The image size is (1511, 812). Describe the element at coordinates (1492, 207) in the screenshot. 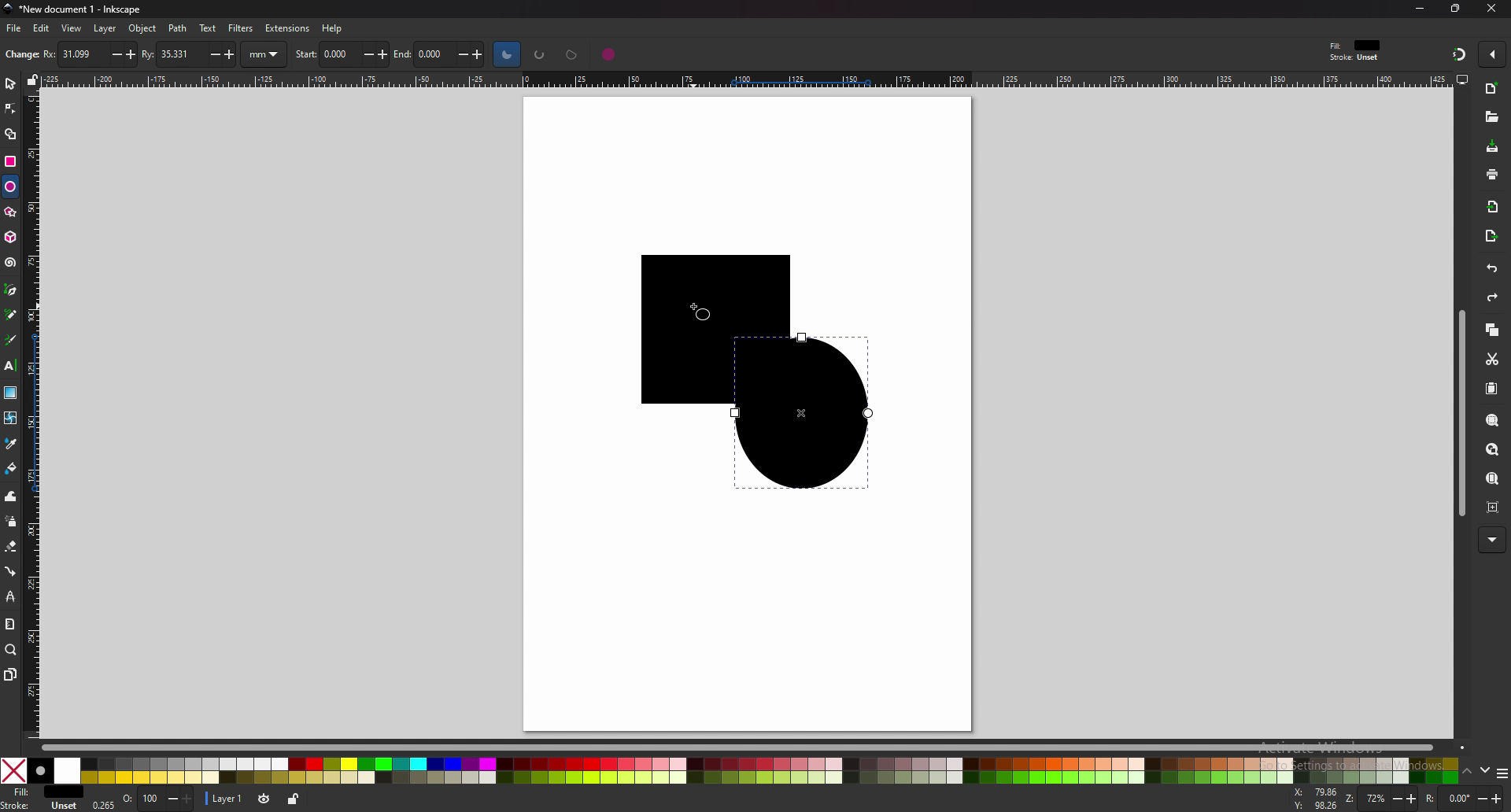

I see `import` at that location.